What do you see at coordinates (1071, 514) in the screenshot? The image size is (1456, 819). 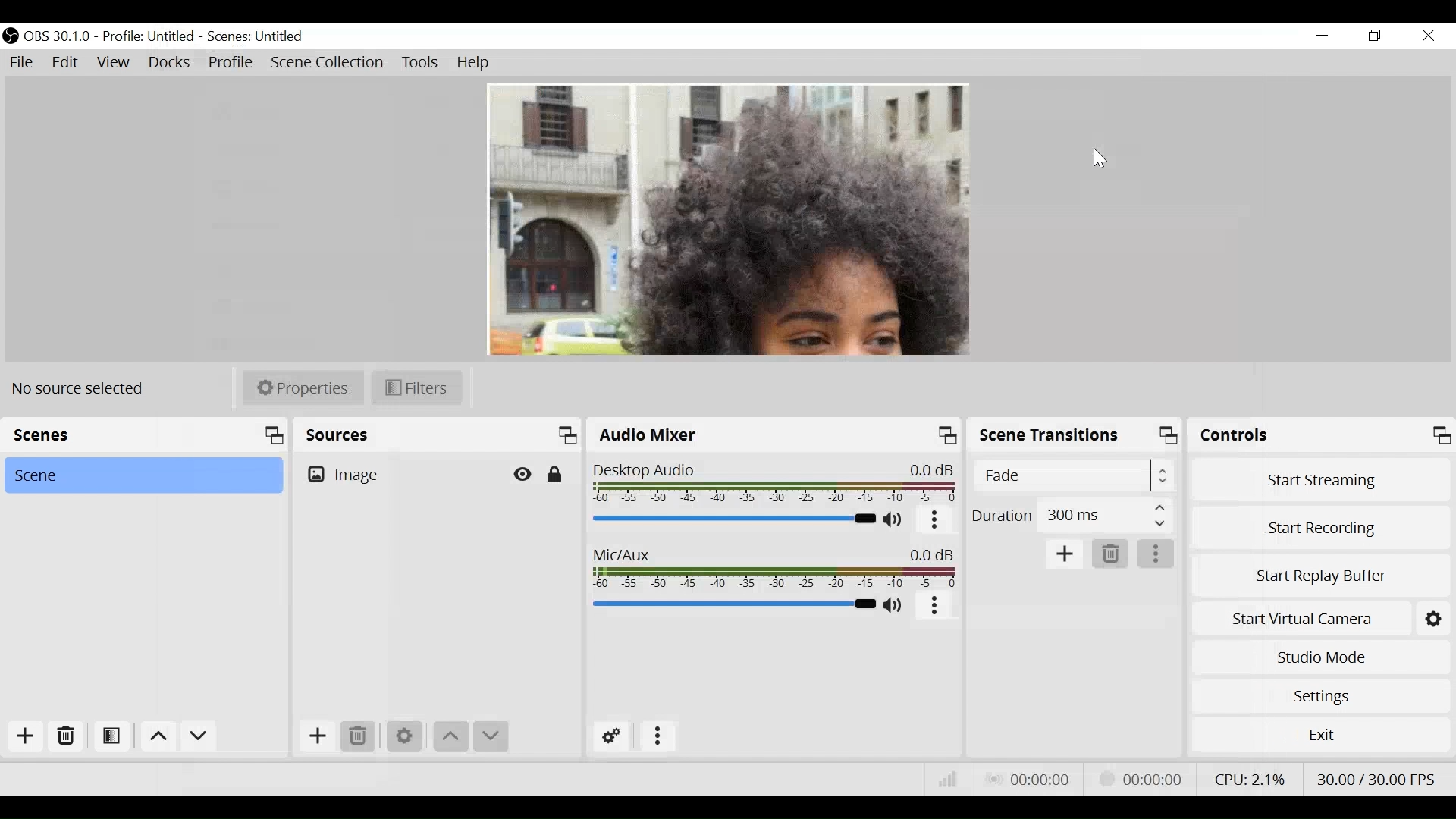 I see `Duration 300 ms` at bounding box center [1071, 514].